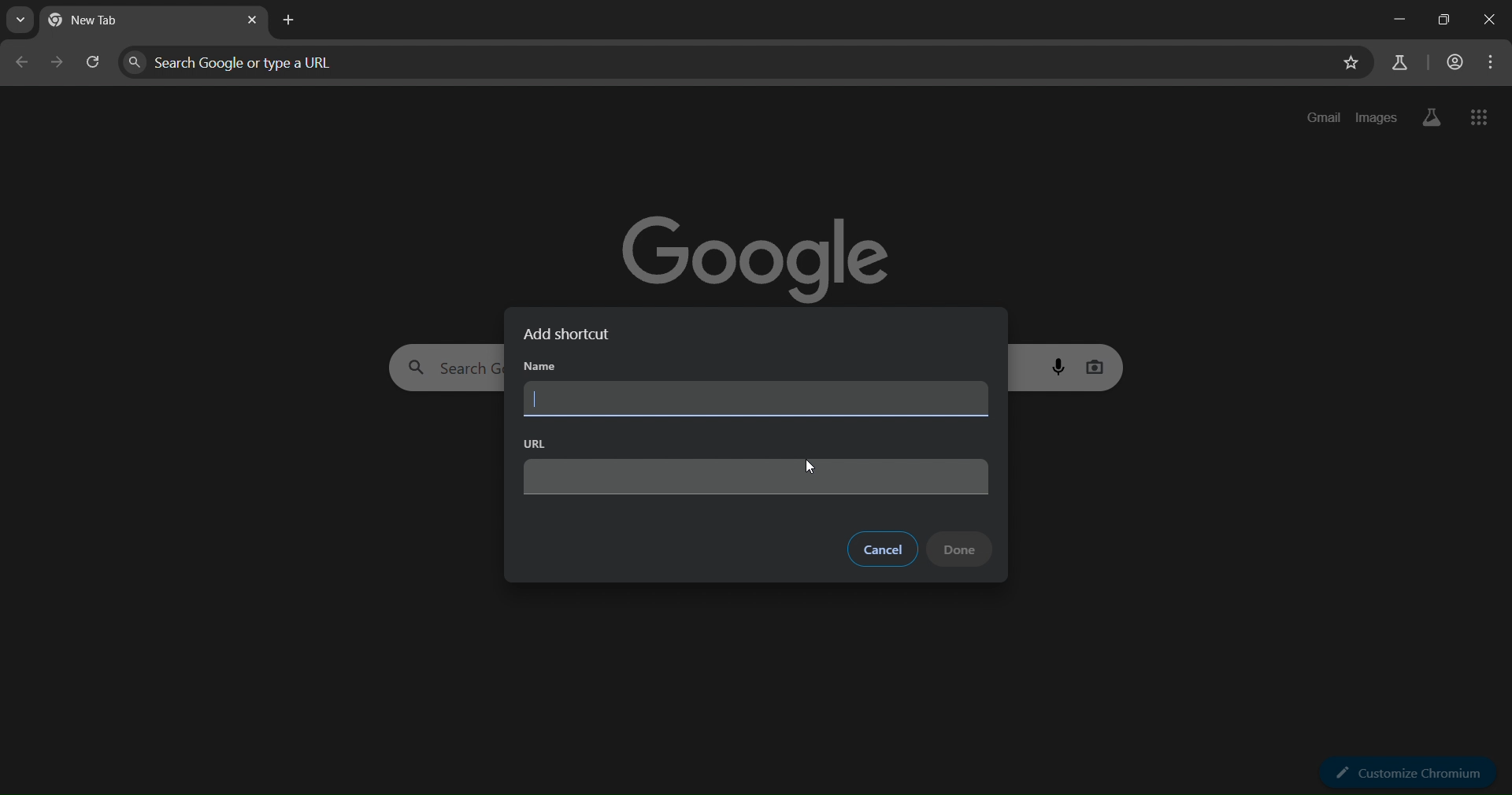 The width and height of the screenshot is (1512, 795). I want to click on close, so click(1488, 20).